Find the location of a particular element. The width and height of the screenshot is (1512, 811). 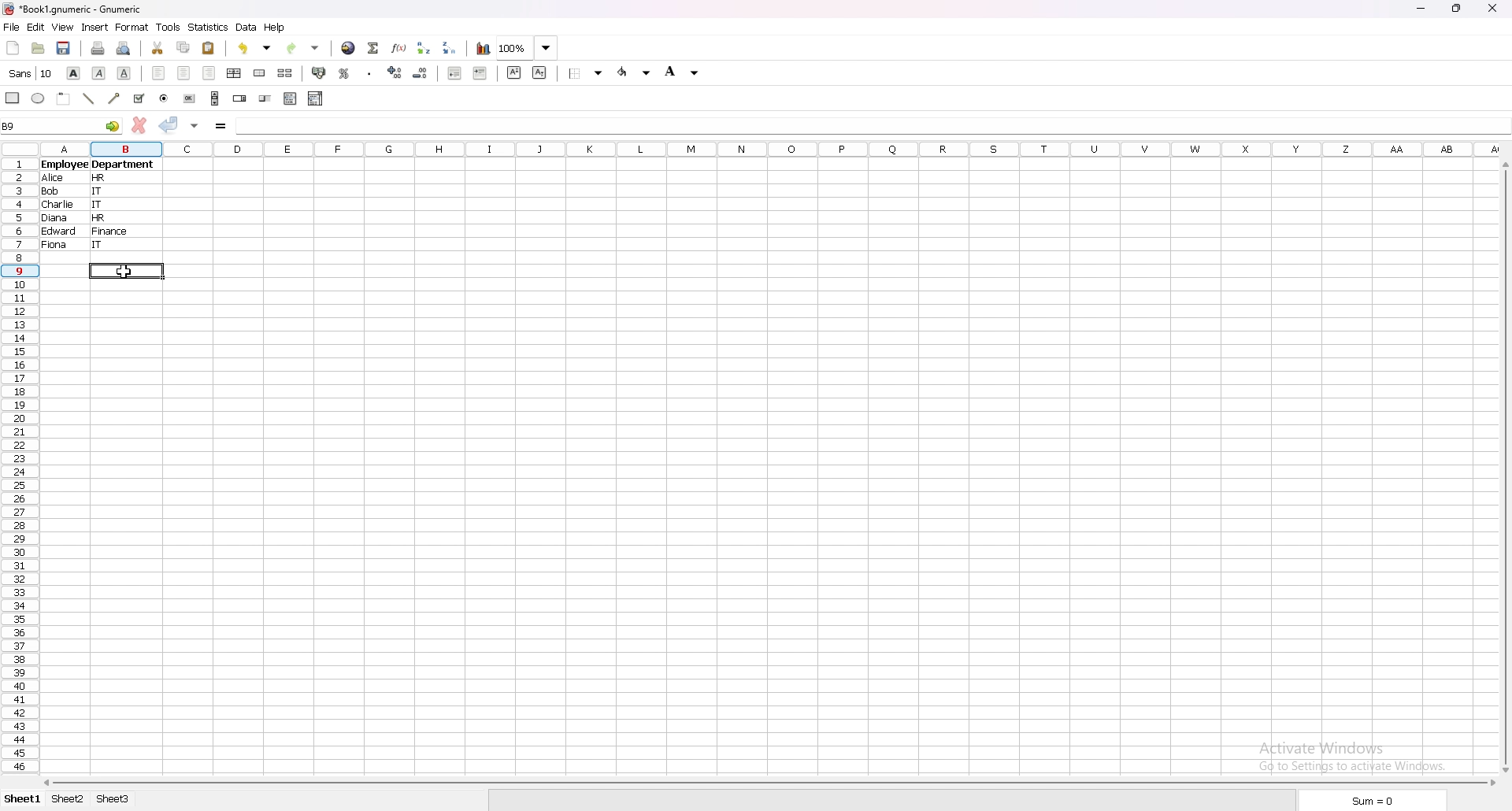

centre horizontally is located at coordinates (235, 74).